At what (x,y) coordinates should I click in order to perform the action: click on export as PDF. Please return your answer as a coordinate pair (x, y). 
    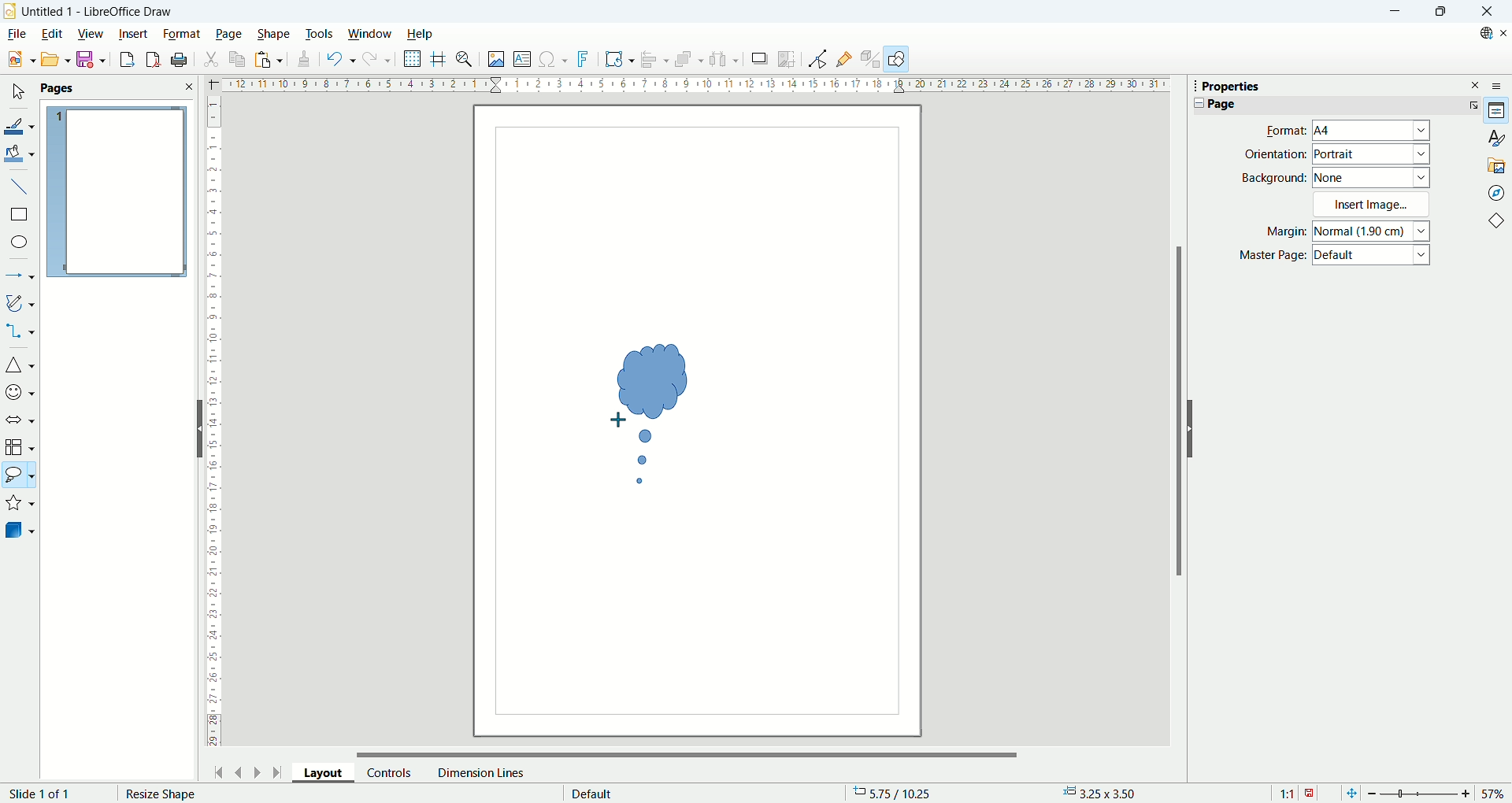
    Looking at the image, I should click on (151, 60).